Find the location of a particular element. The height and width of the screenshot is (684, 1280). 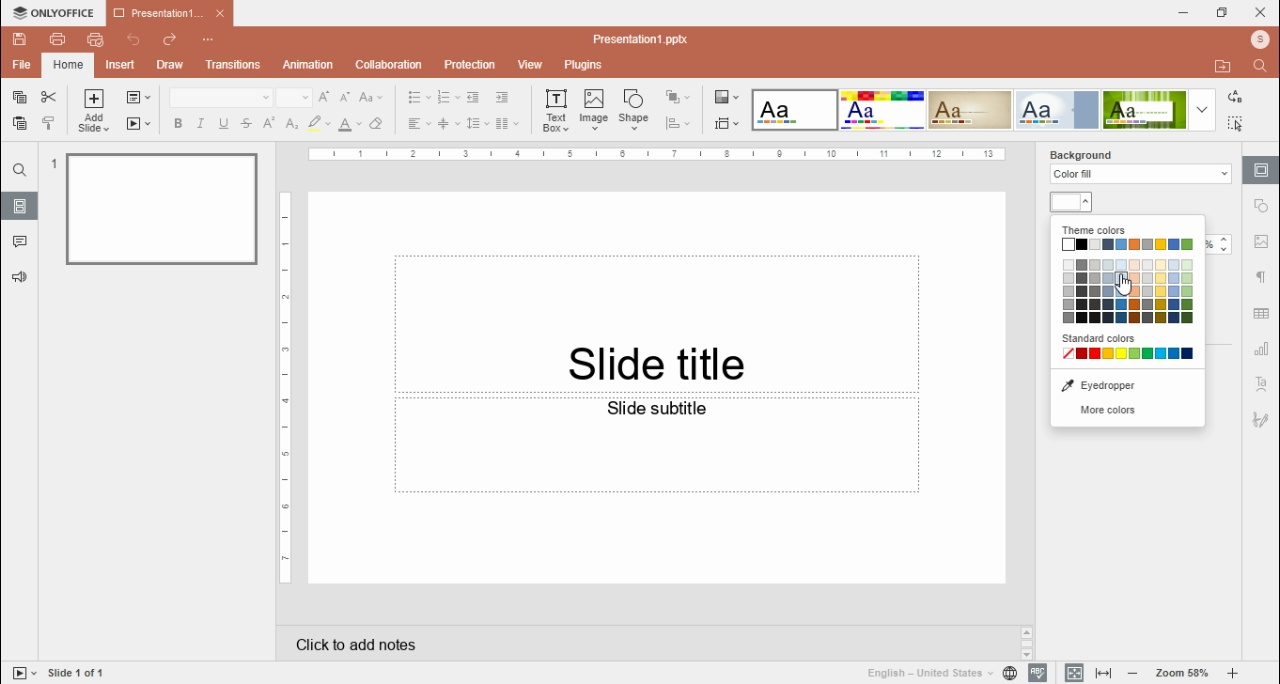

comments is located at coordinates (20, 240).